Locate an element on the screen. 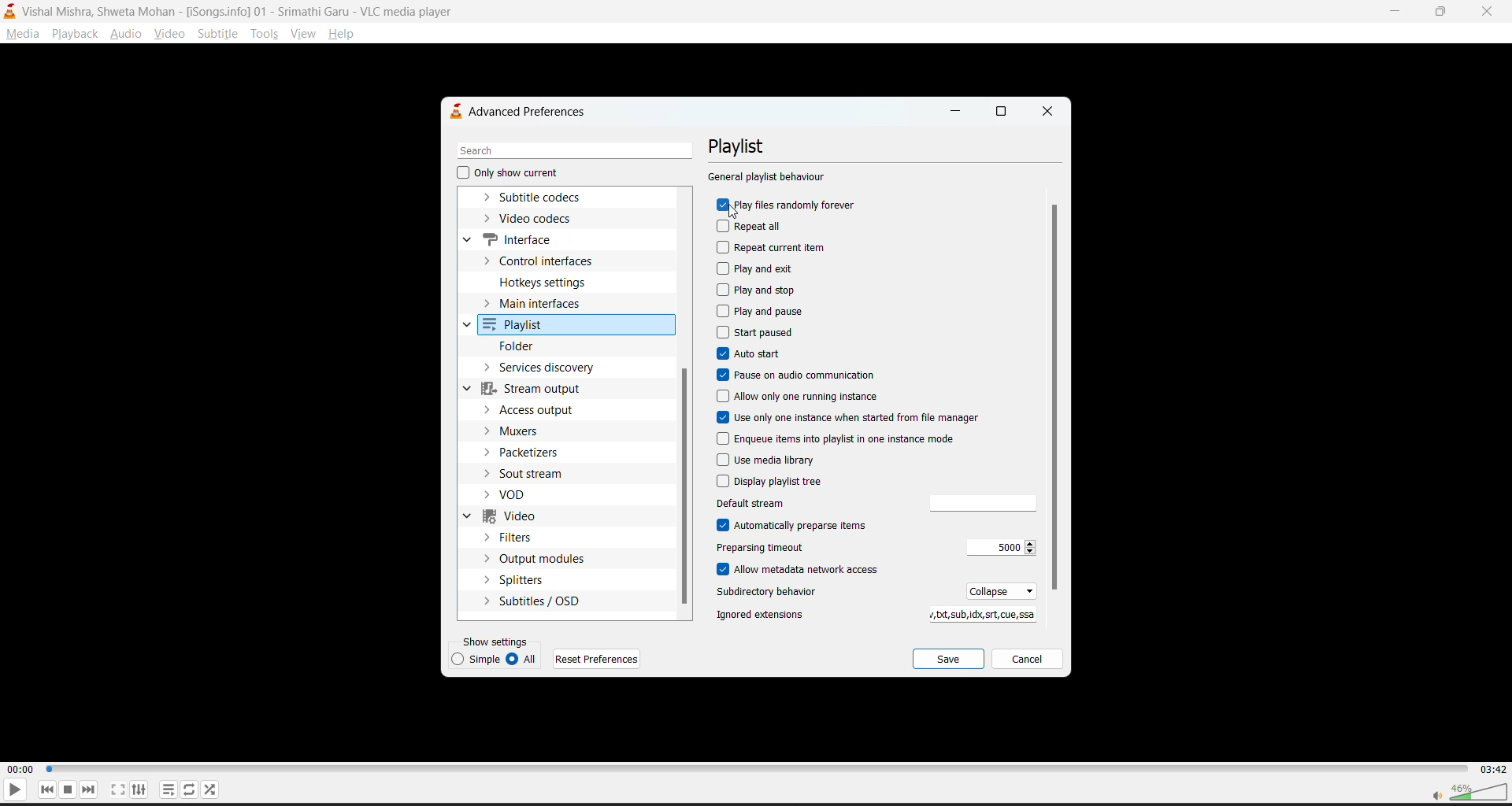  00:00 is located at coordinates (20, 770).